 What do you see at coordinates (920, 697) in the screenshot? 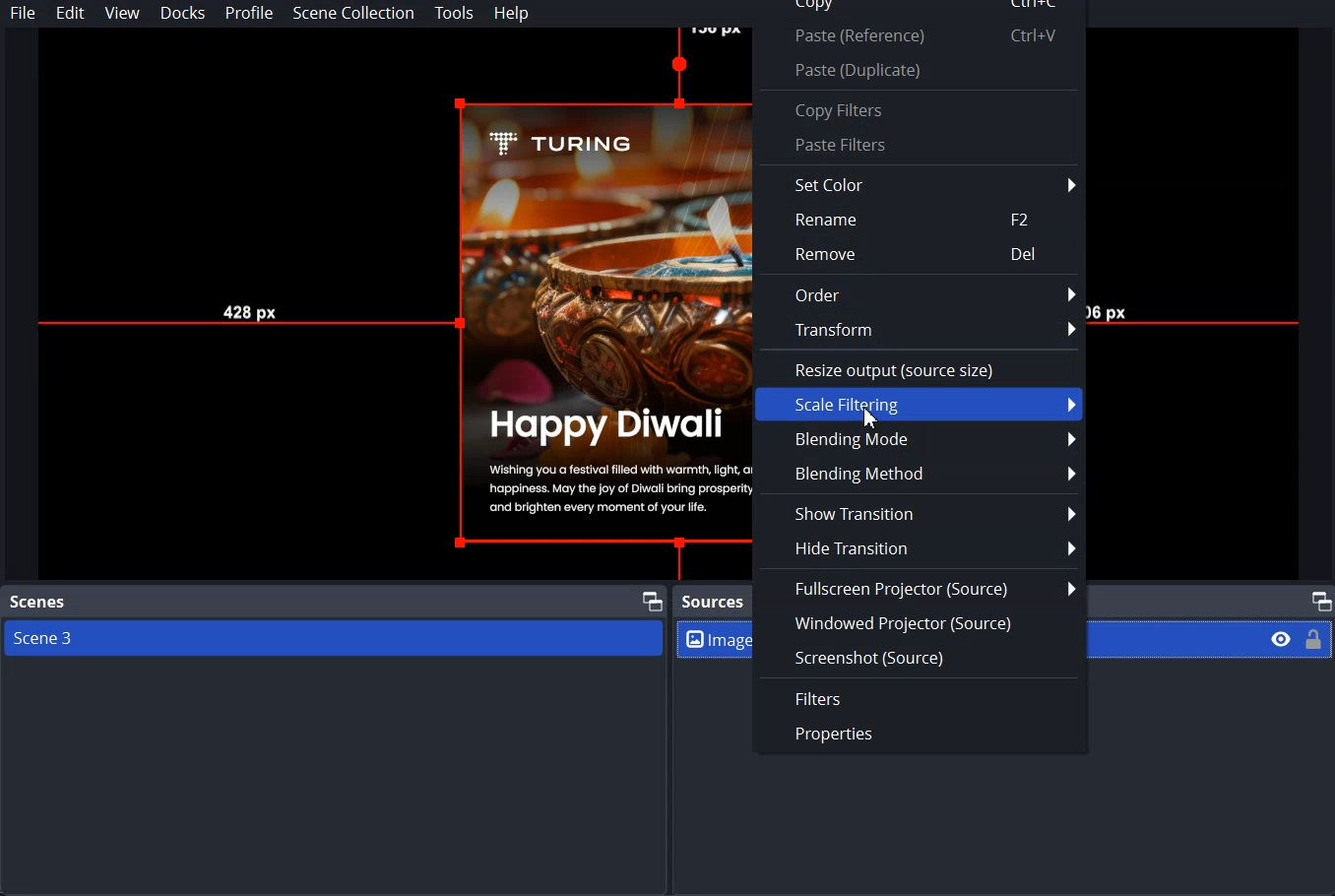
I see `Filters` at bounding box center [920, 697].